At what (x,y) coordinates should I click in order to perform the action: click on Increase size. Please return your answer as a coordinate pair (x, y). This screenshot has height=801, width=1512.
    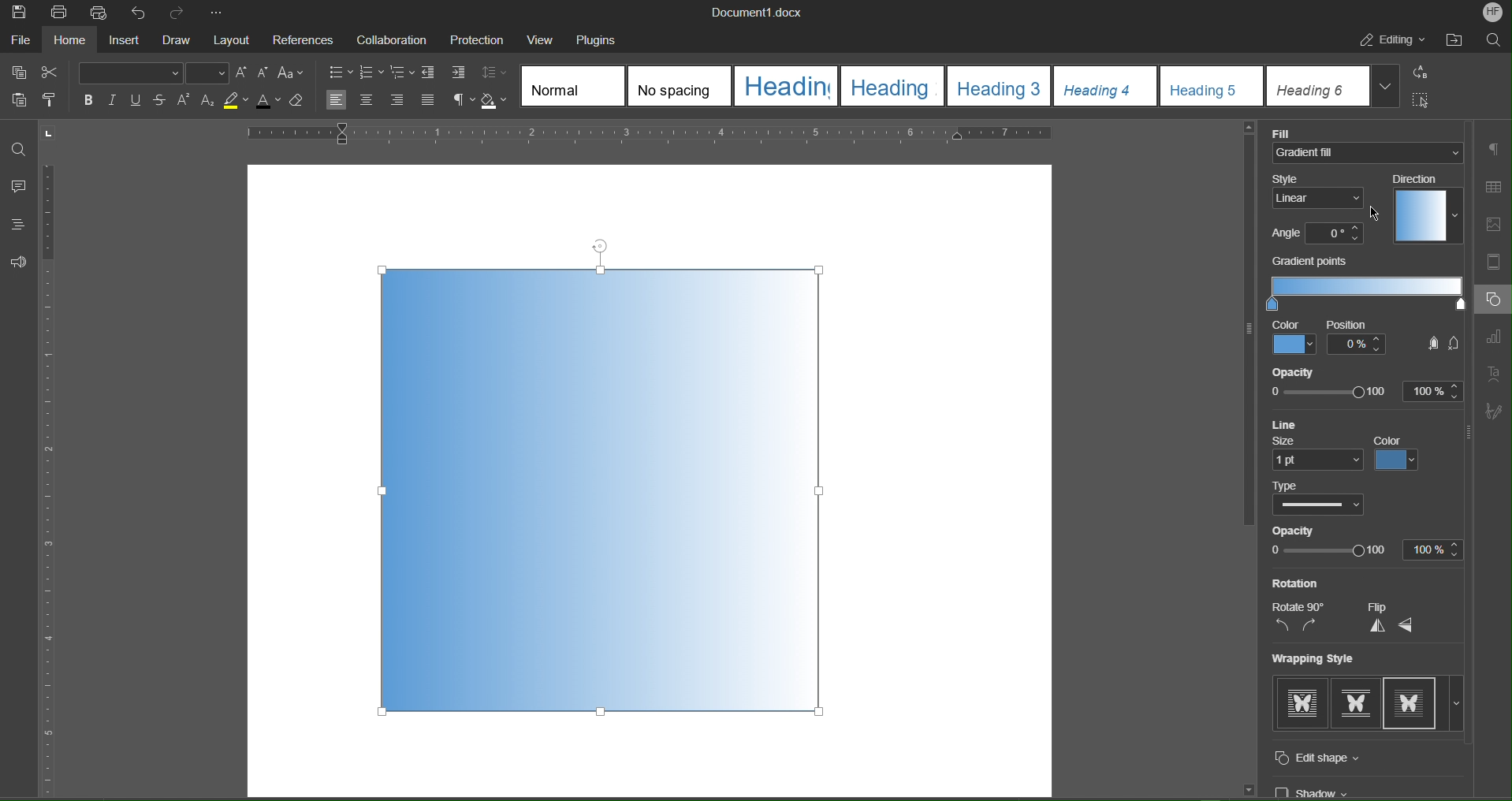
    Looking at the image, I should click on (241, 72).